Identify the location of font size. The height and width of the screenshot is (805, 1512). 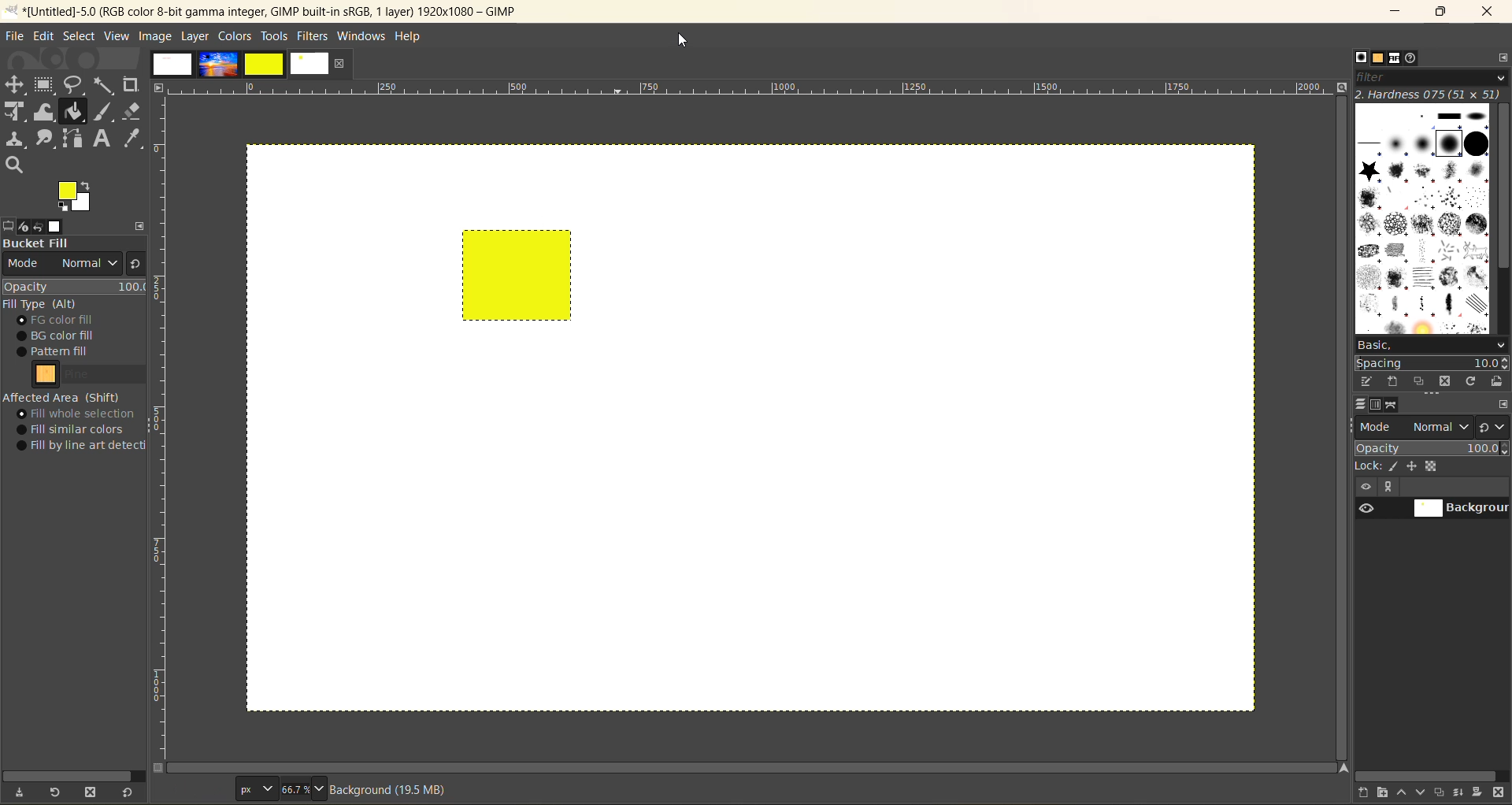
(281, 788).